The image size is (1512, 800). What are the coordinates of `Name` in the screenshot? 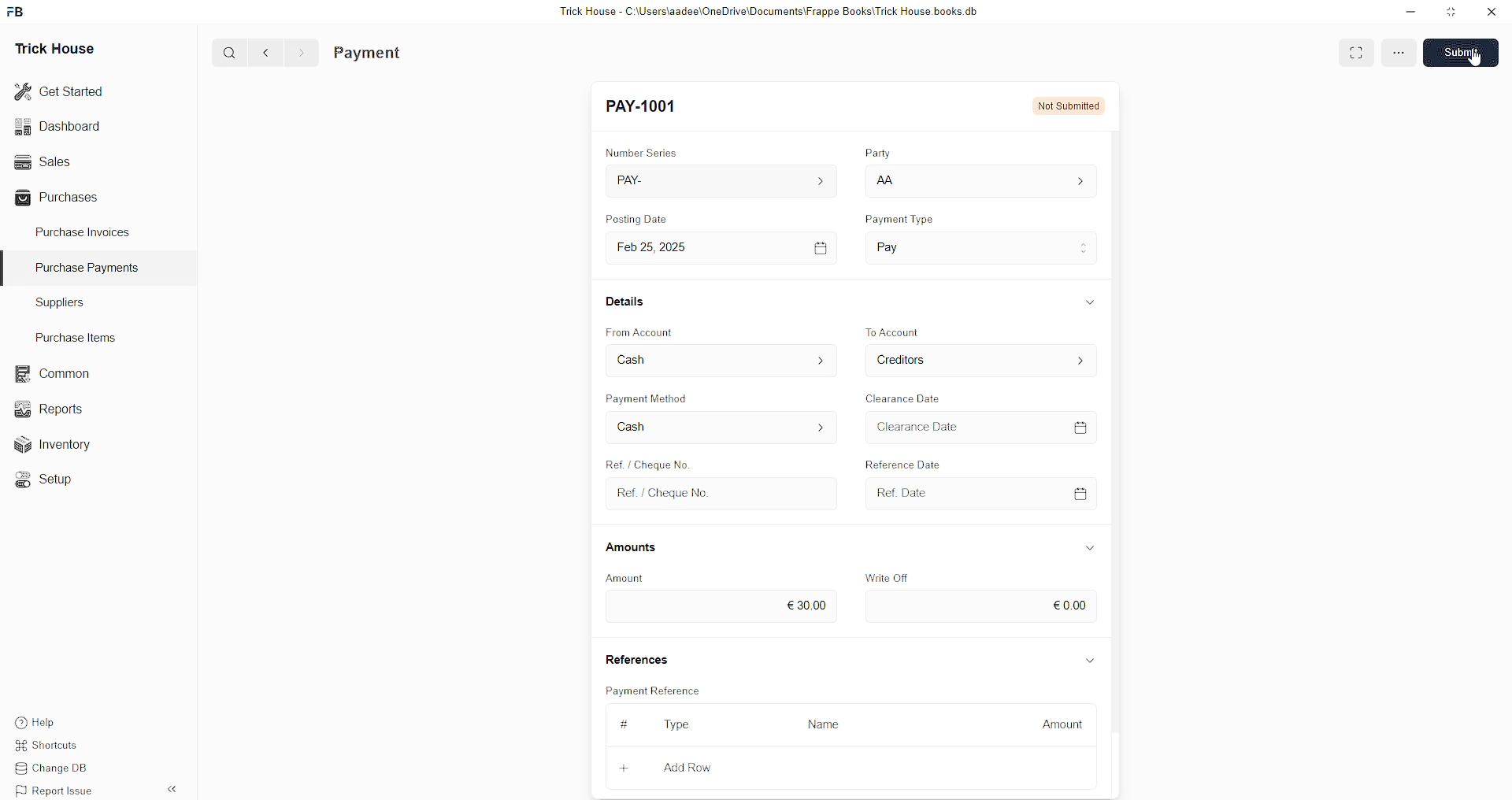 It's located at (819, 725).